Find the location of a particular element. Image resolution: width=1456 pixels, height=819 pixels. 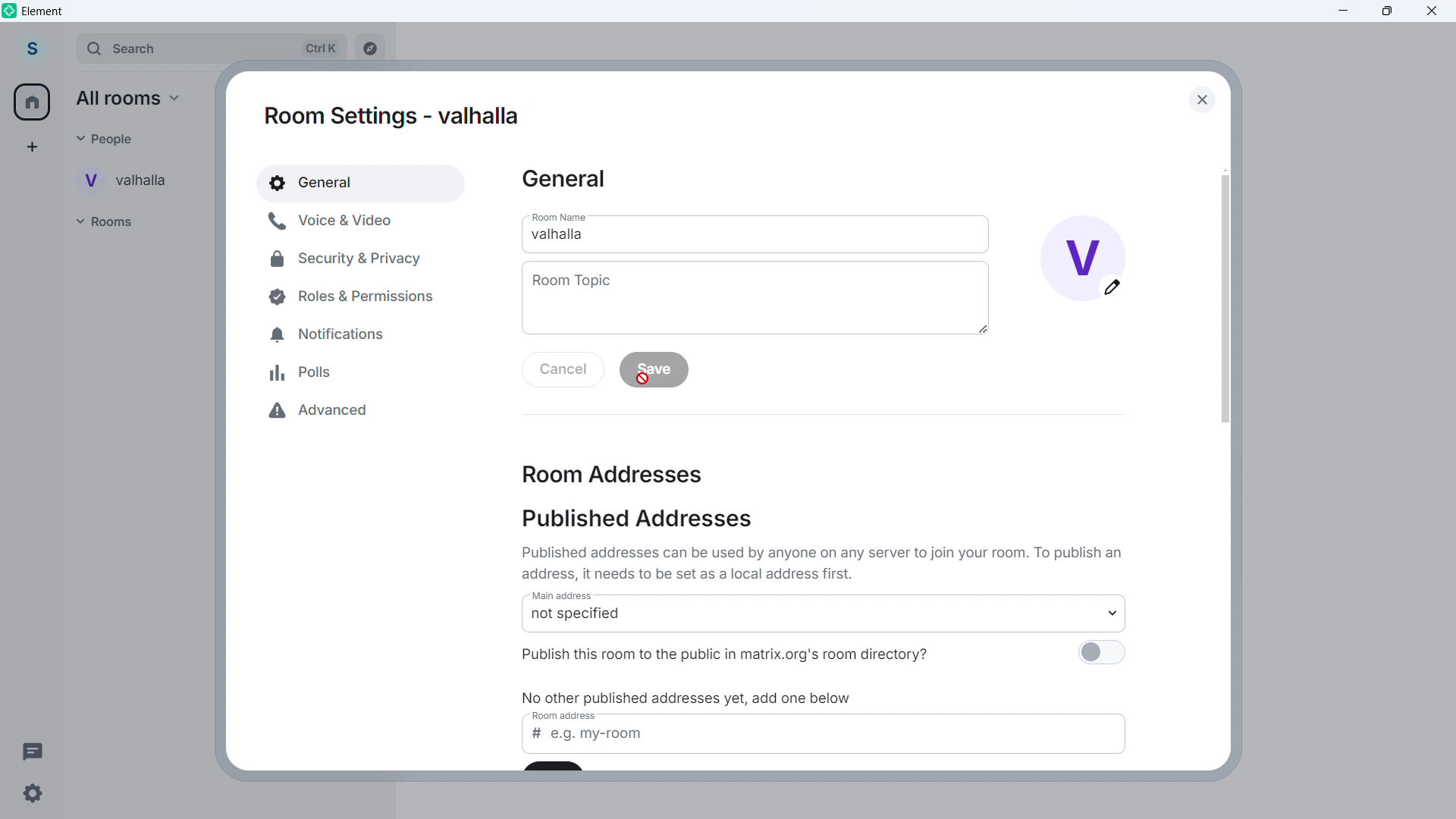

Add room topic  is located at coordinates (755, 298).